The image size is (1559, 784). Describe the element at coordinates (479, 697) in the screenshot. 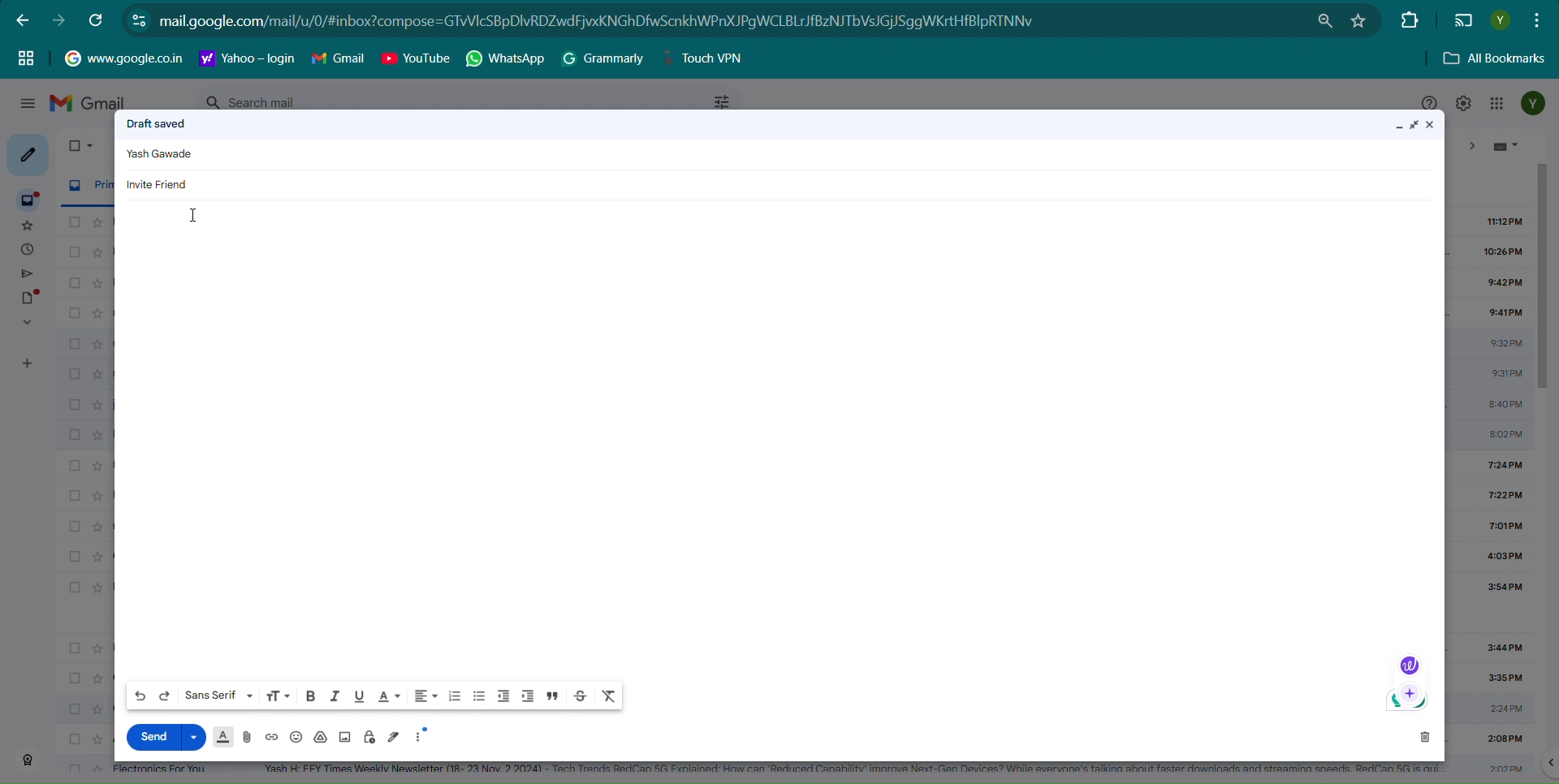

I see `Bulleted list` at that location.